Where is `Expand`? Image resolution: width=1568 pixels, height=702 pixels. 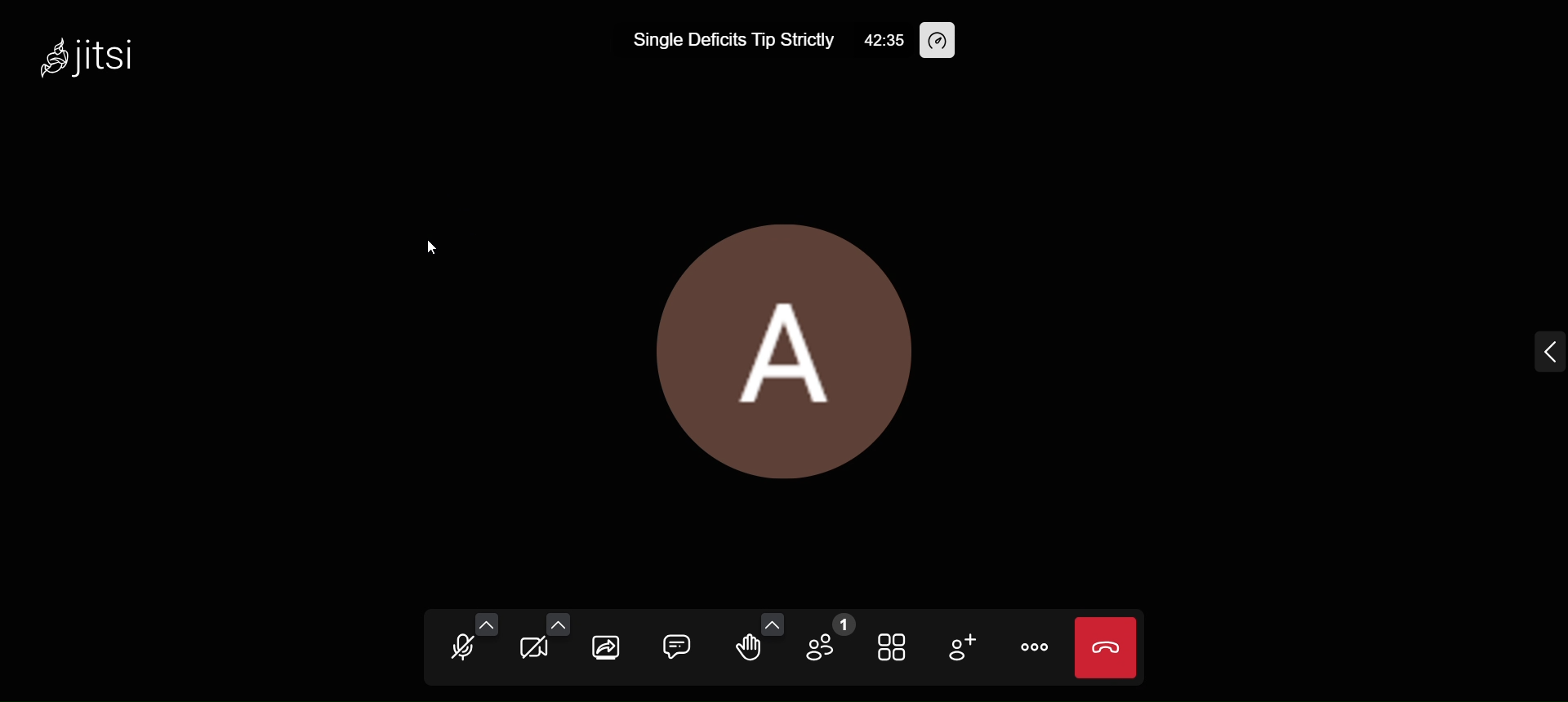 Expand is located at coordinates (1542, 356).